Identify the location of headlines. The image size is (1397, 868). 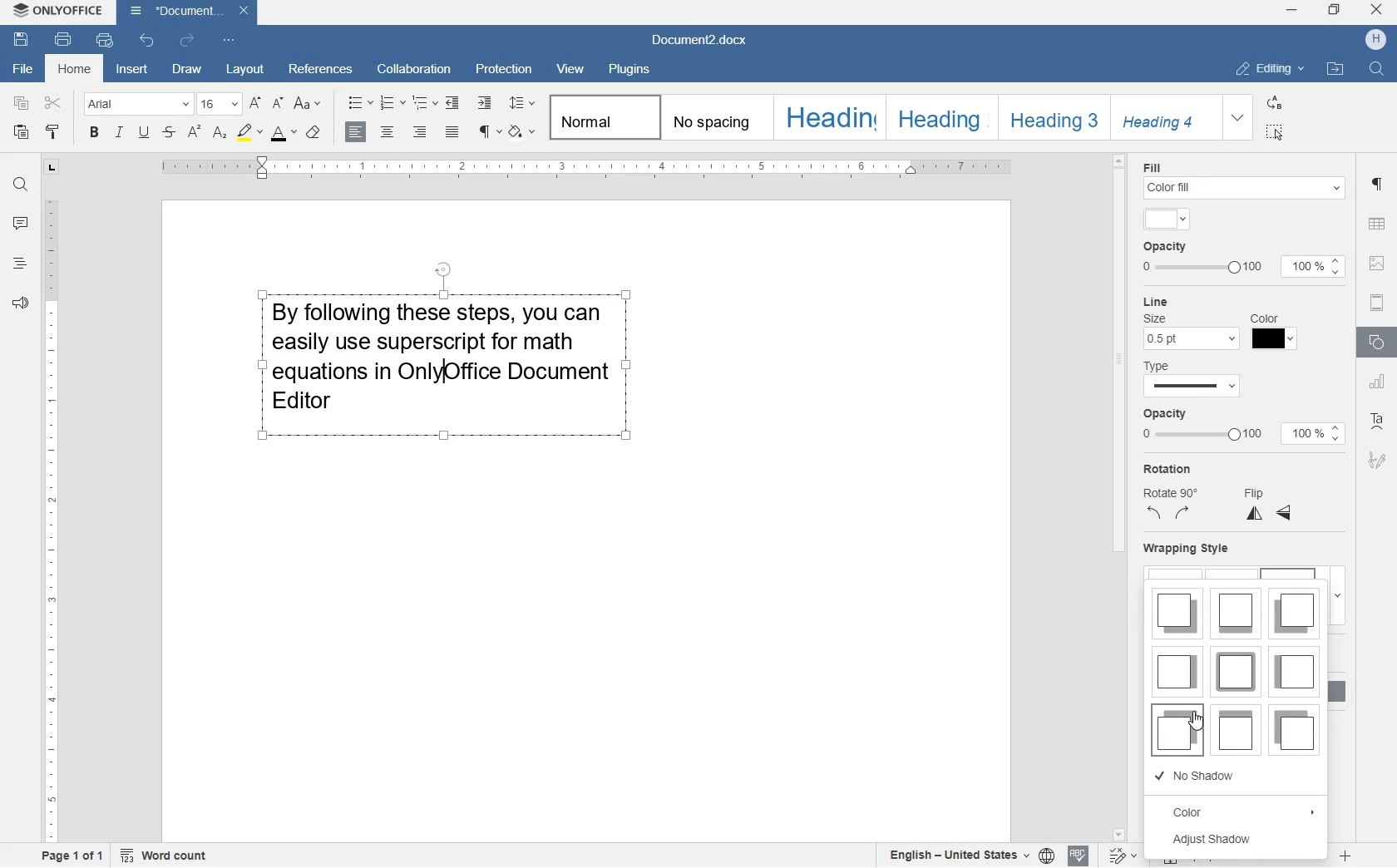
(20, 267).